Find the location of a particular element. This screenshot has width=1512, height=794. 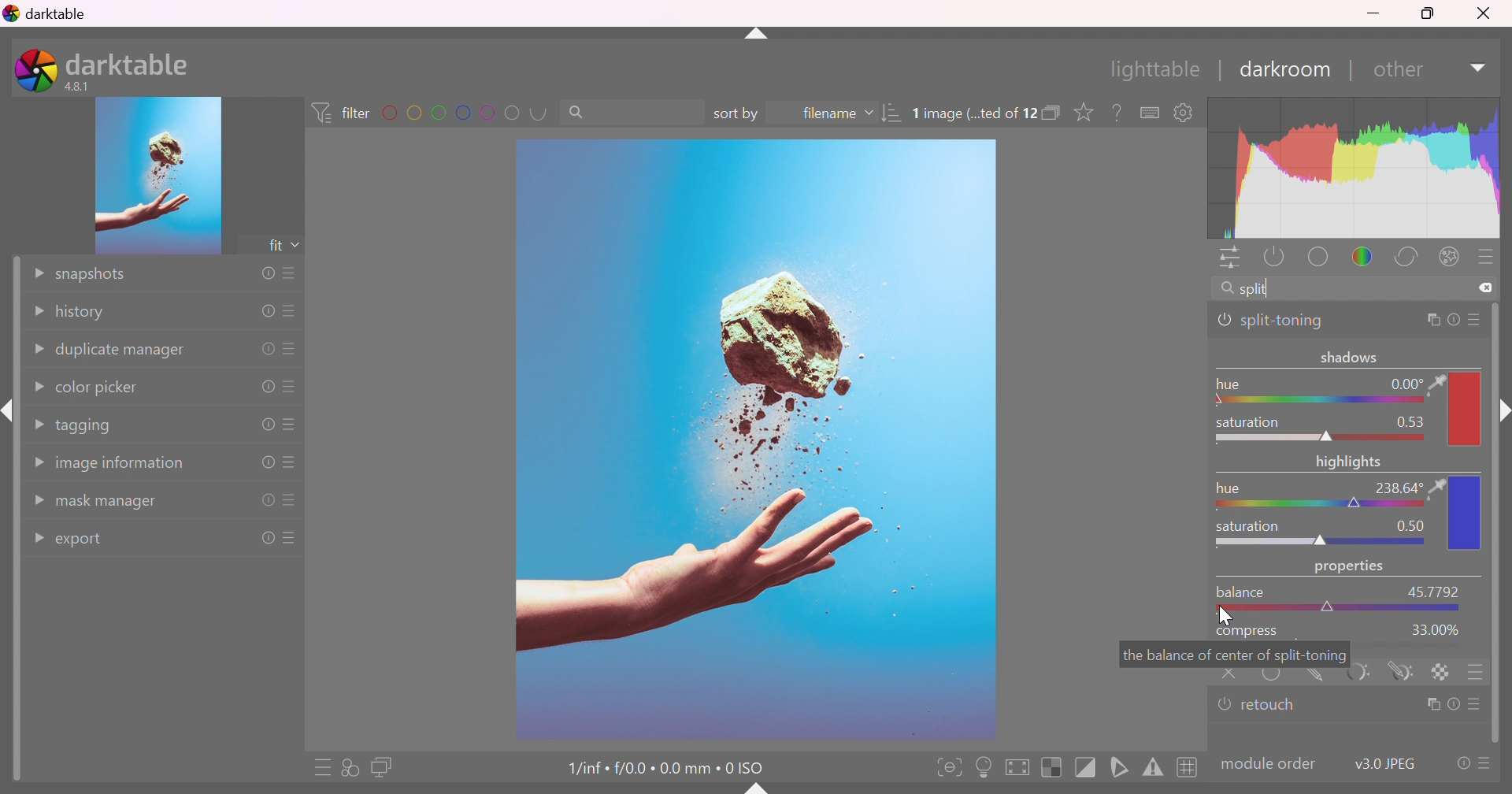

saturation is located at coordinates (1253, 422).